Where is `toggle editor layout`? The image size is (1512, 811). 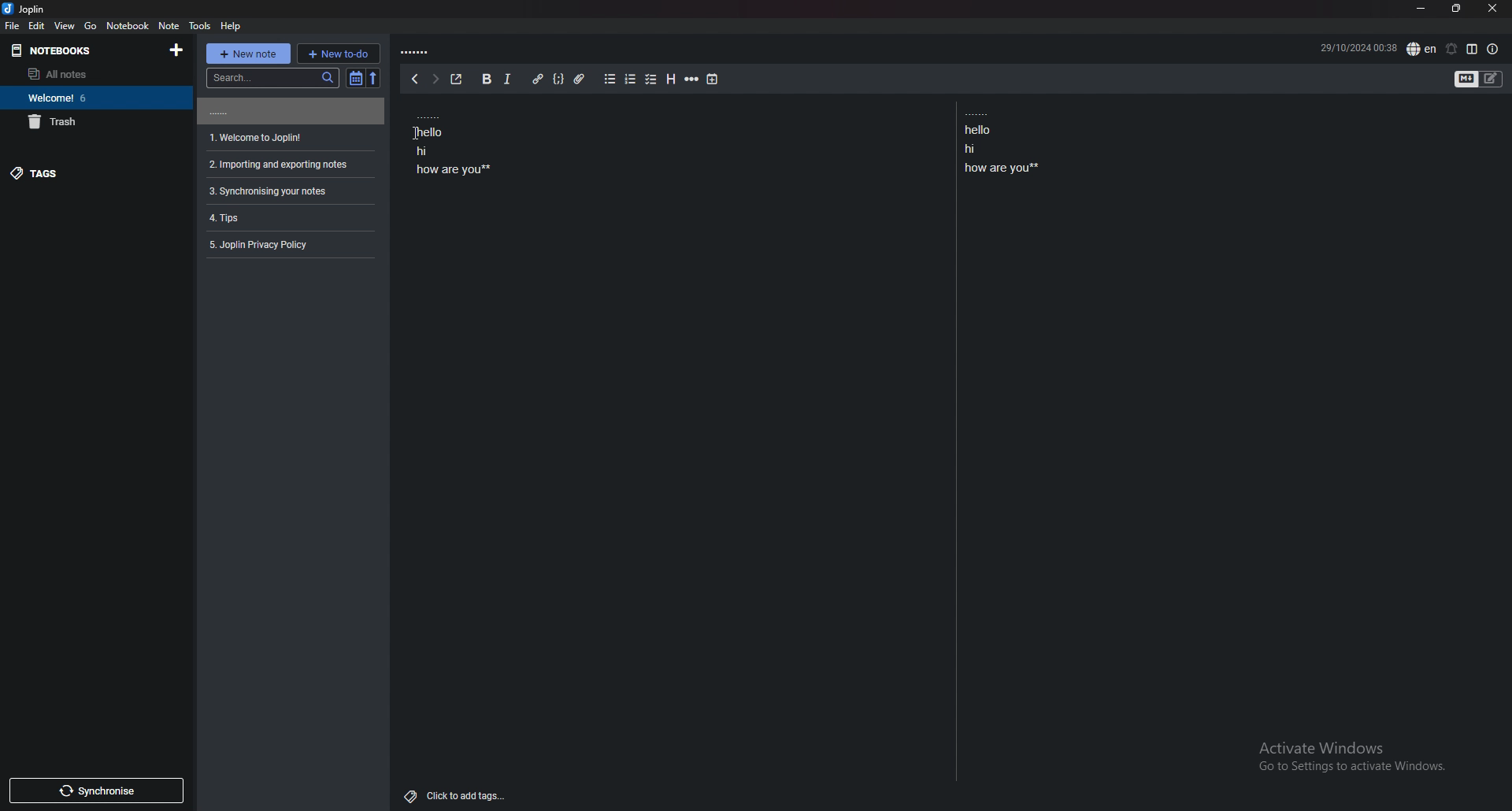 toggle editor layout is located at coordinates (1473, 49).